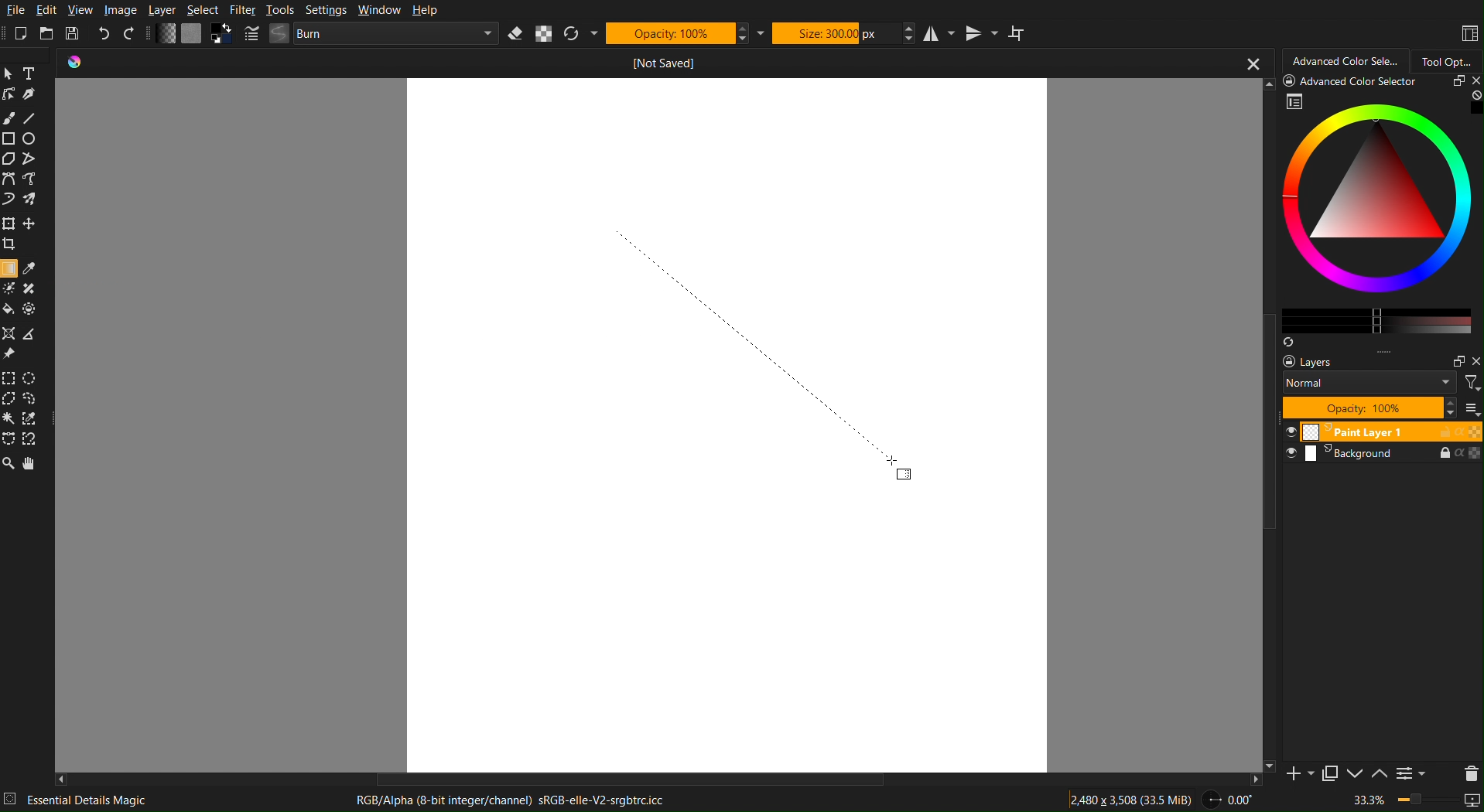  I want to click on Open, so click(48, 34).